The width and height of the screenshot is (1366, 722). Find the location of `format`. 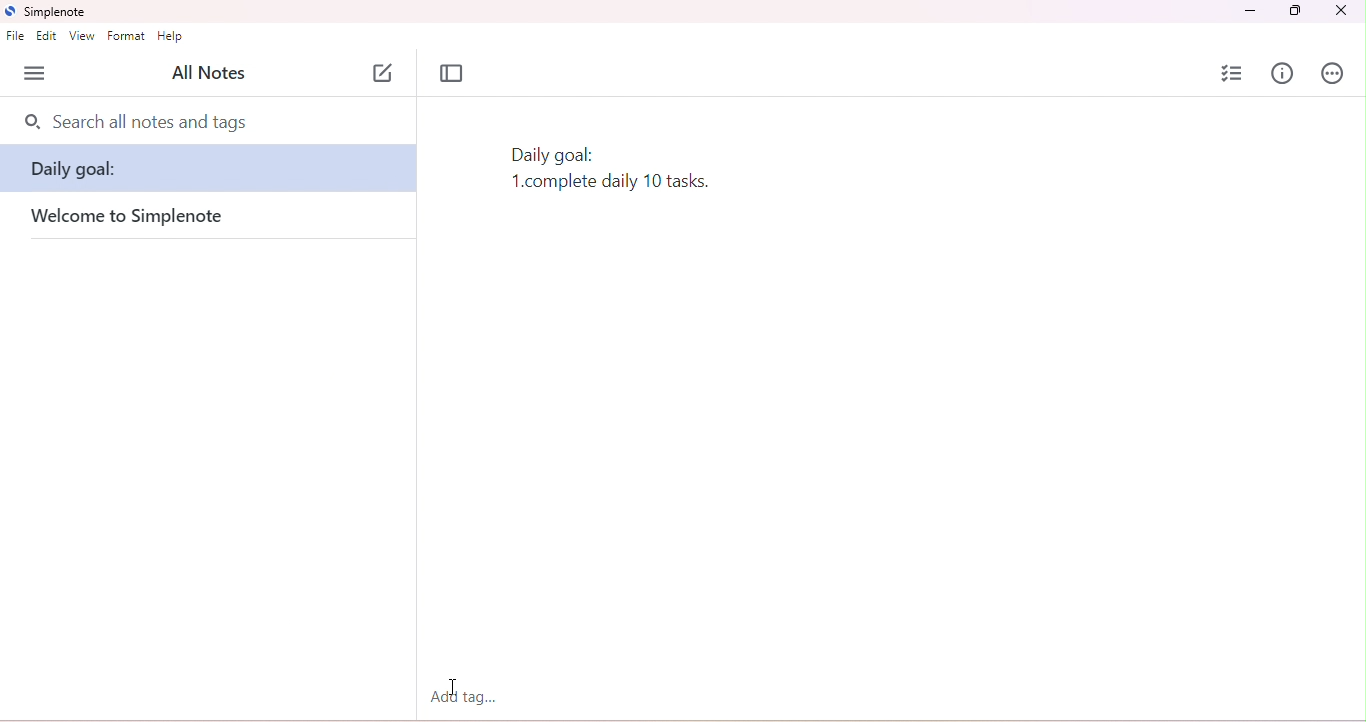

format is located at coordinates (127, 36).